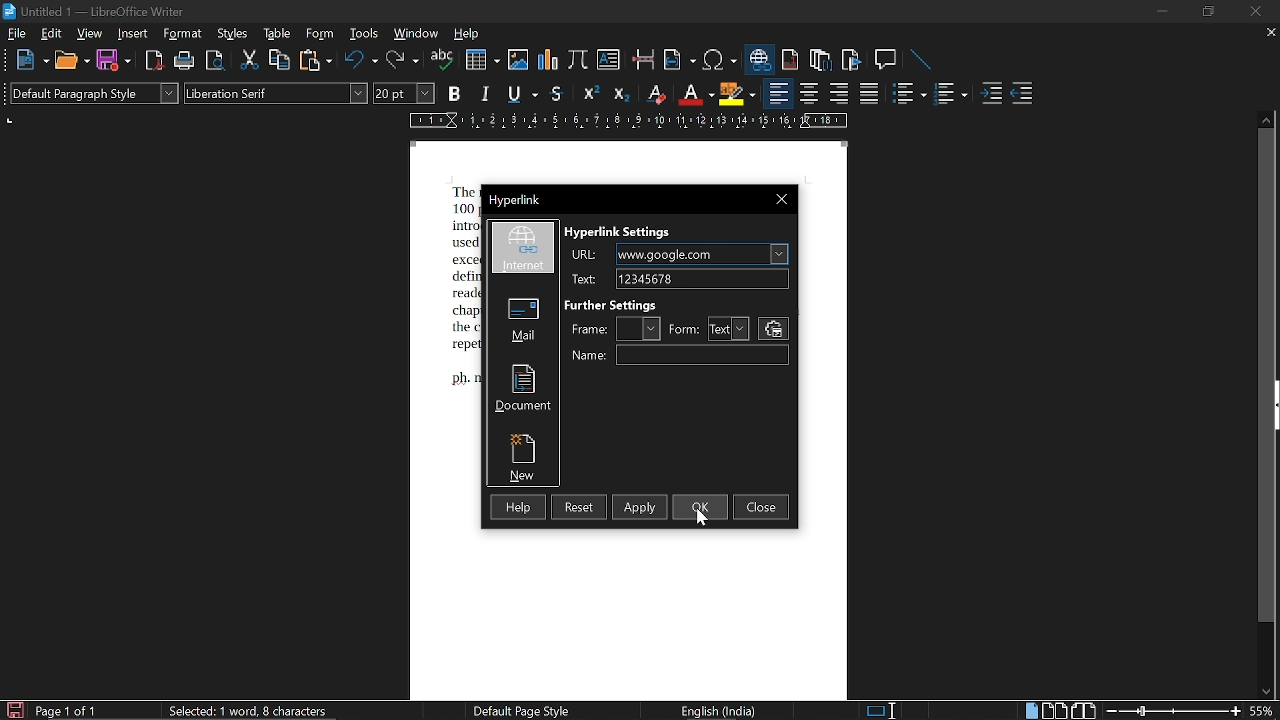 The image size is (1280, 720). Describe the element at coordinates (588, 95) in the screenshot. I see `superscript` at that location.